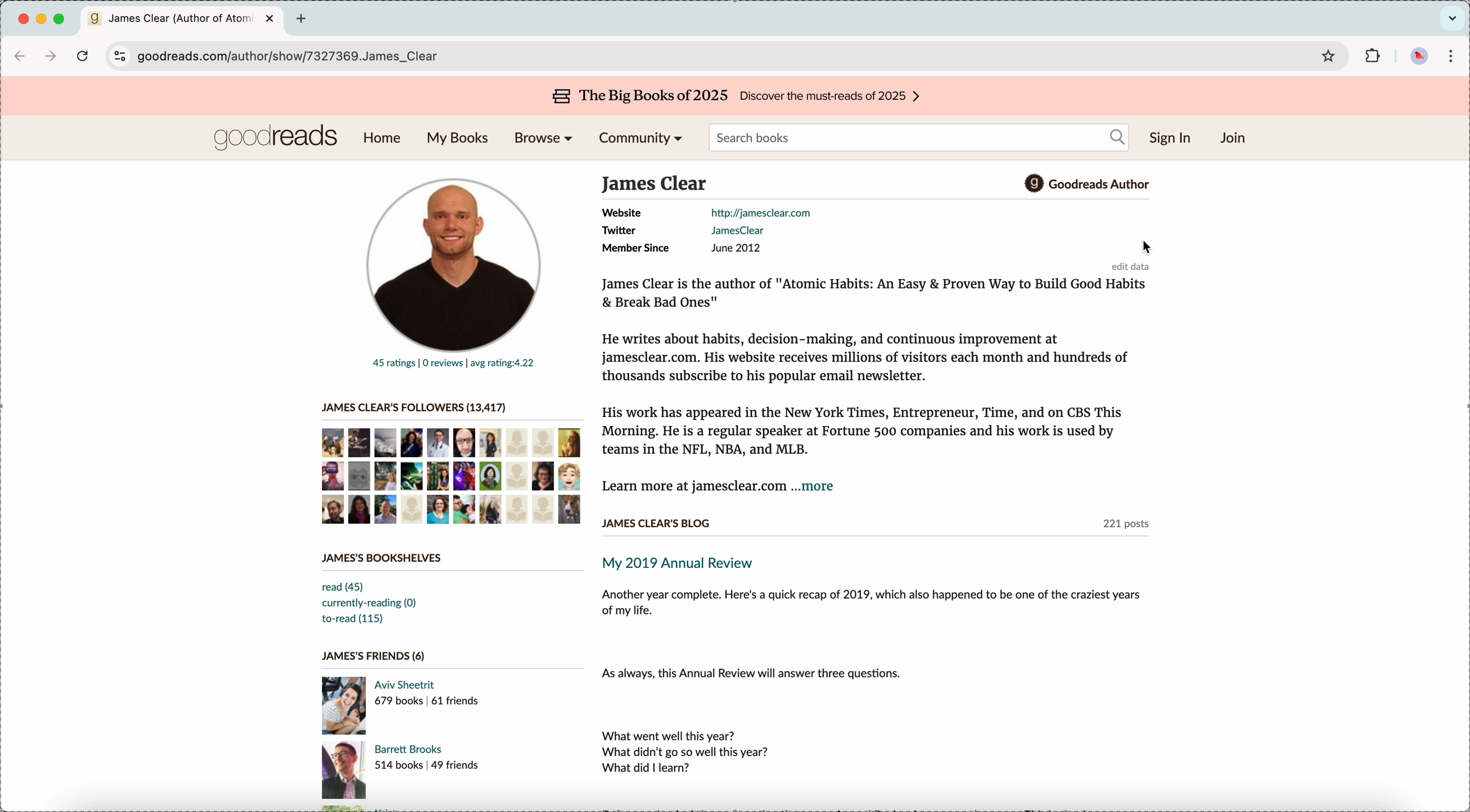 The image size is (1470, 812). What do you see at coordinates (184, 20) in the screenshot?
I see `tab` at bounding box center [184, 20].